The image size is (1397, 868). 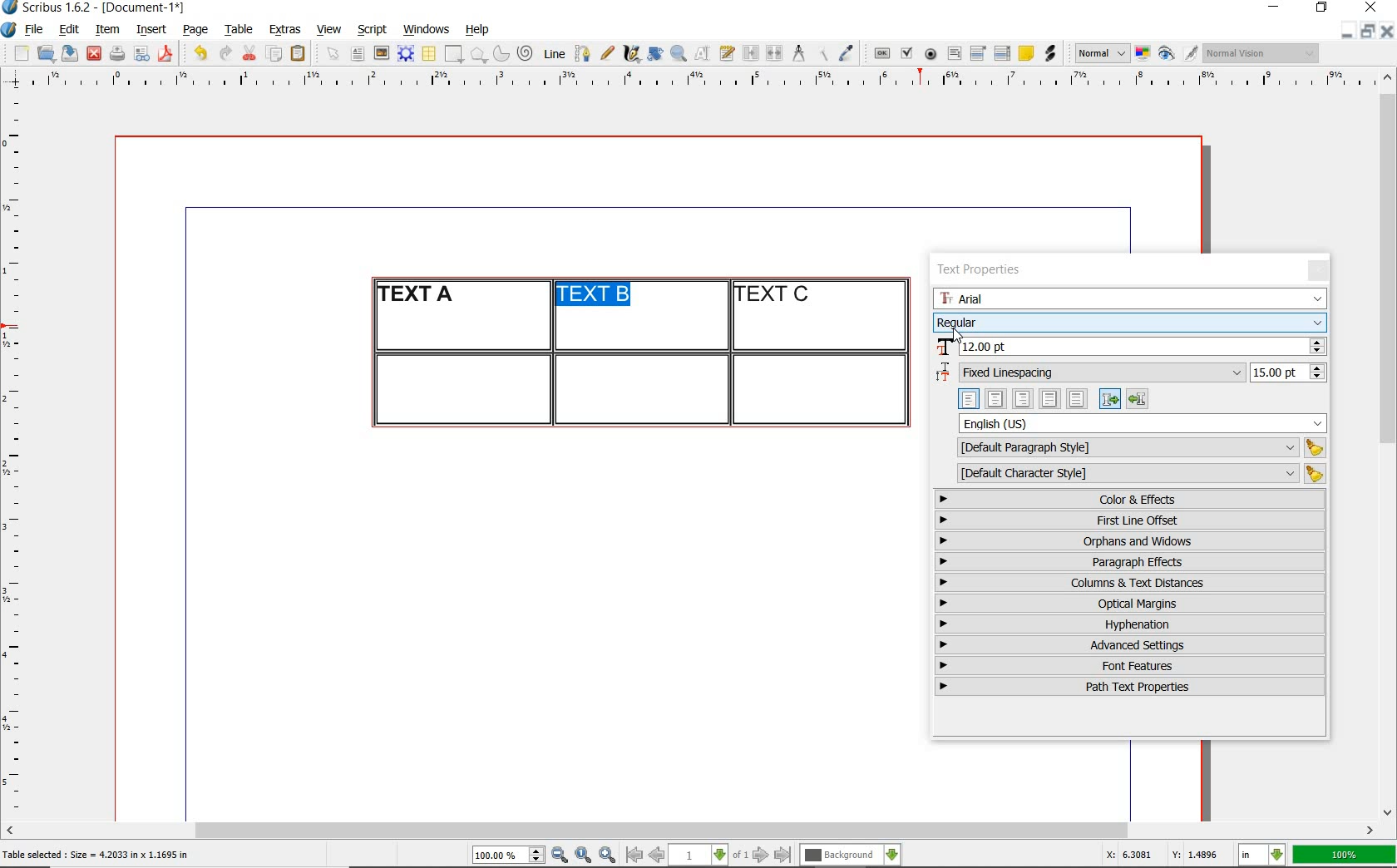 What do you see at coordinates (36, 30) in the screenshot?
I see `file` at bounding box center [36, 30].